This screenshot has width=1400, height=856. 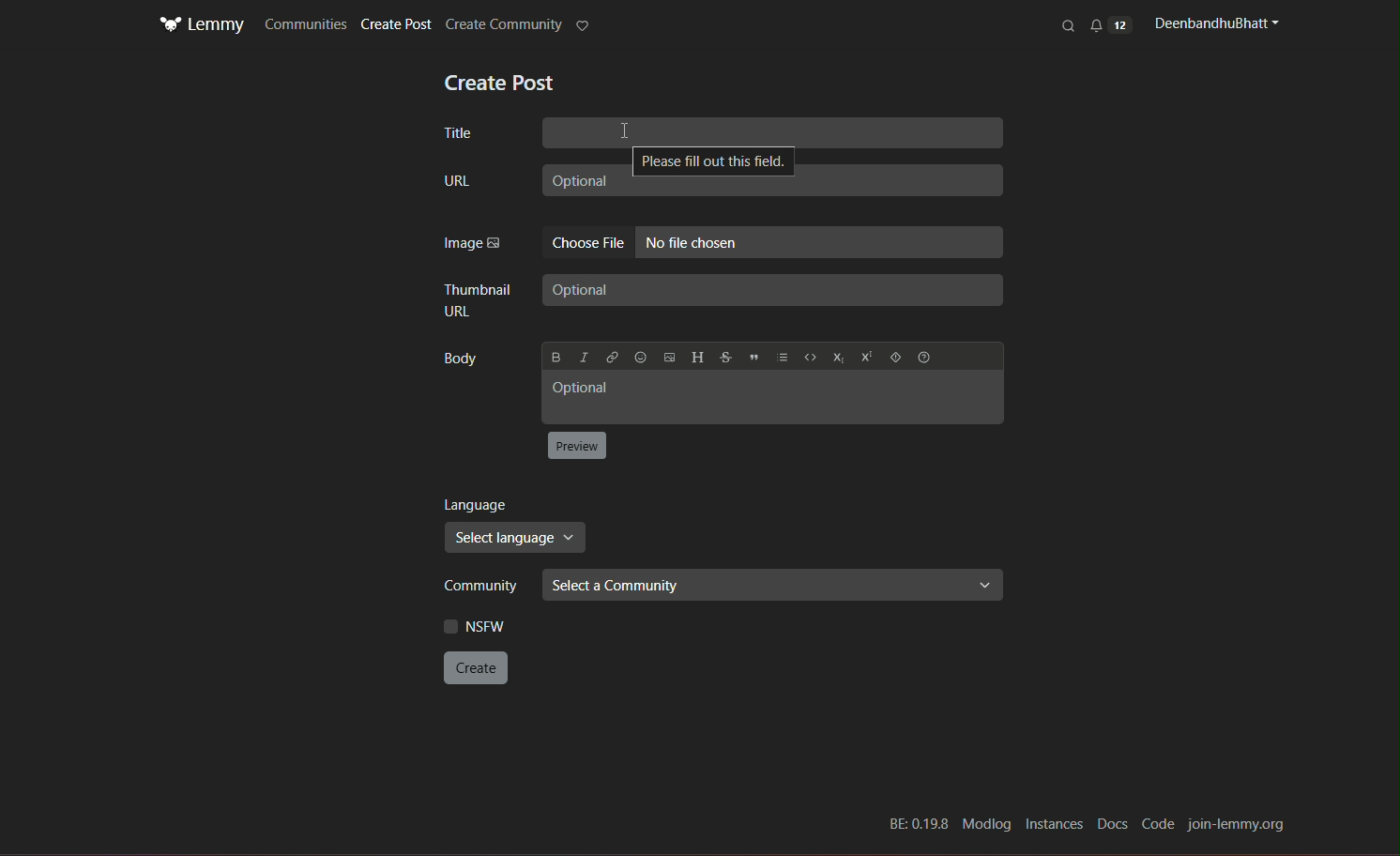 What do you see at coordinates (579, 445) in the screenshot?
I see `button` at bounding box center [579, 445].